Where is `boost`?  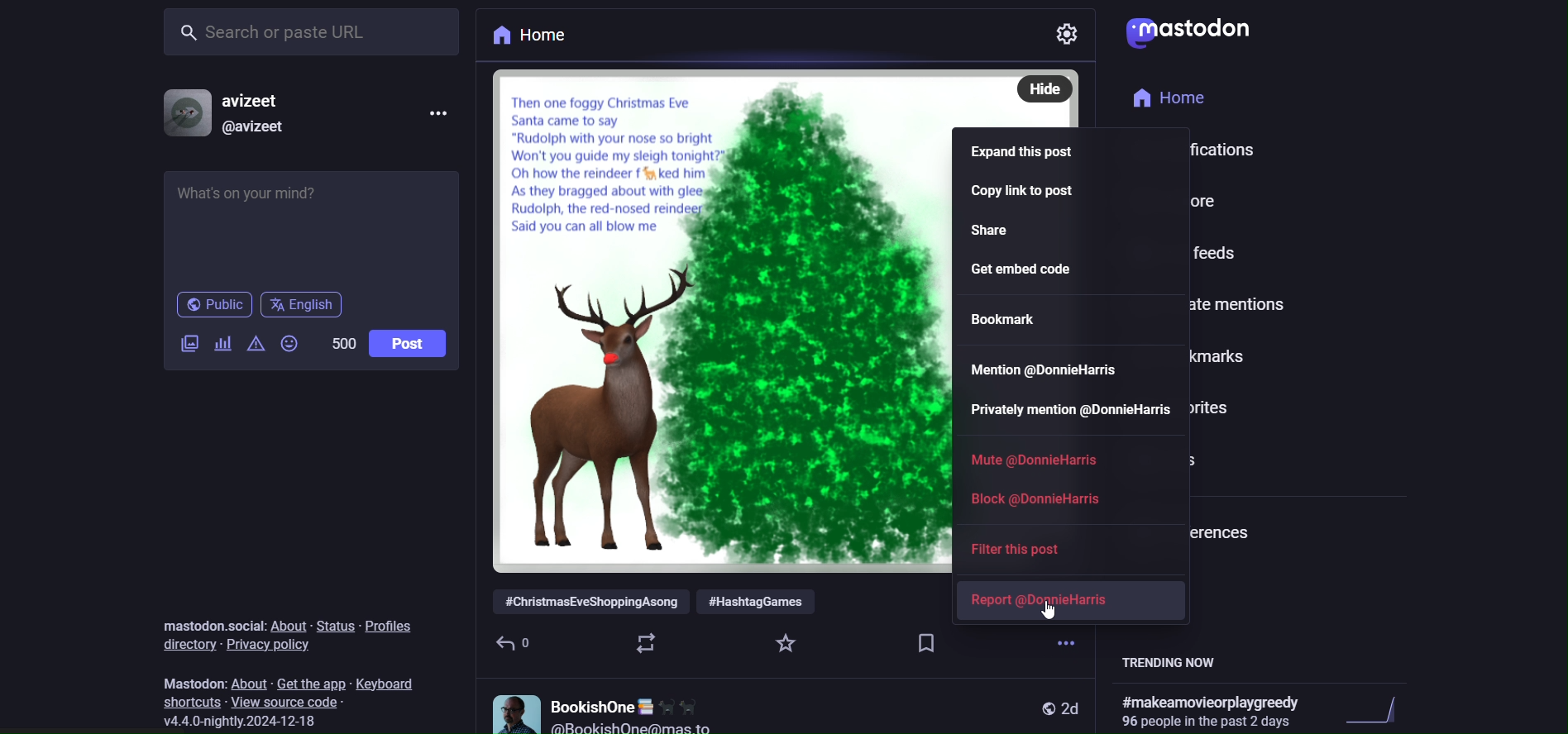
boost is located at coordinates (644, 641).